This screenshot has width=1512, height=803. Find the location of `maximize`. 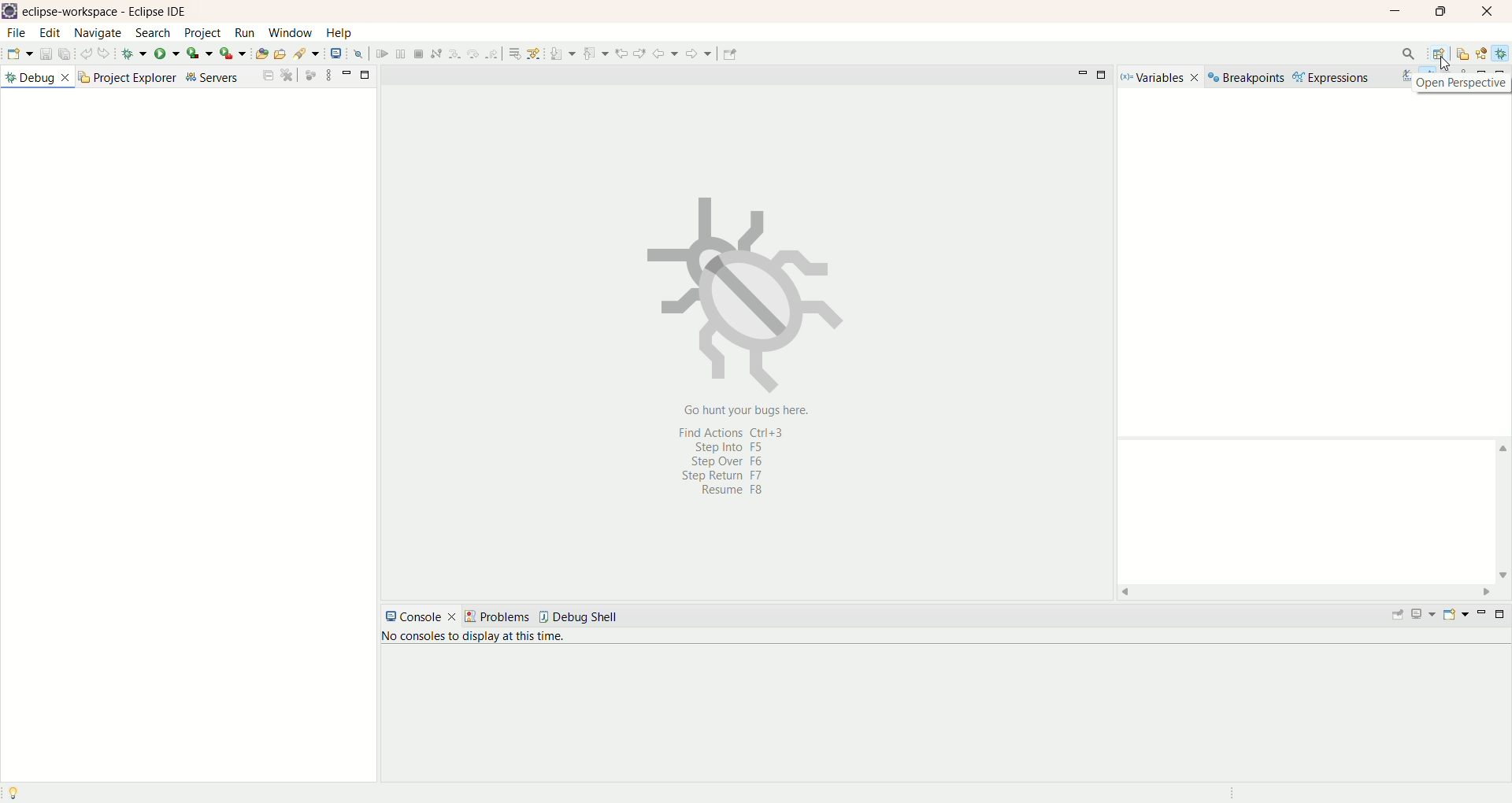

maximize is located at coordinates (1503, 617).